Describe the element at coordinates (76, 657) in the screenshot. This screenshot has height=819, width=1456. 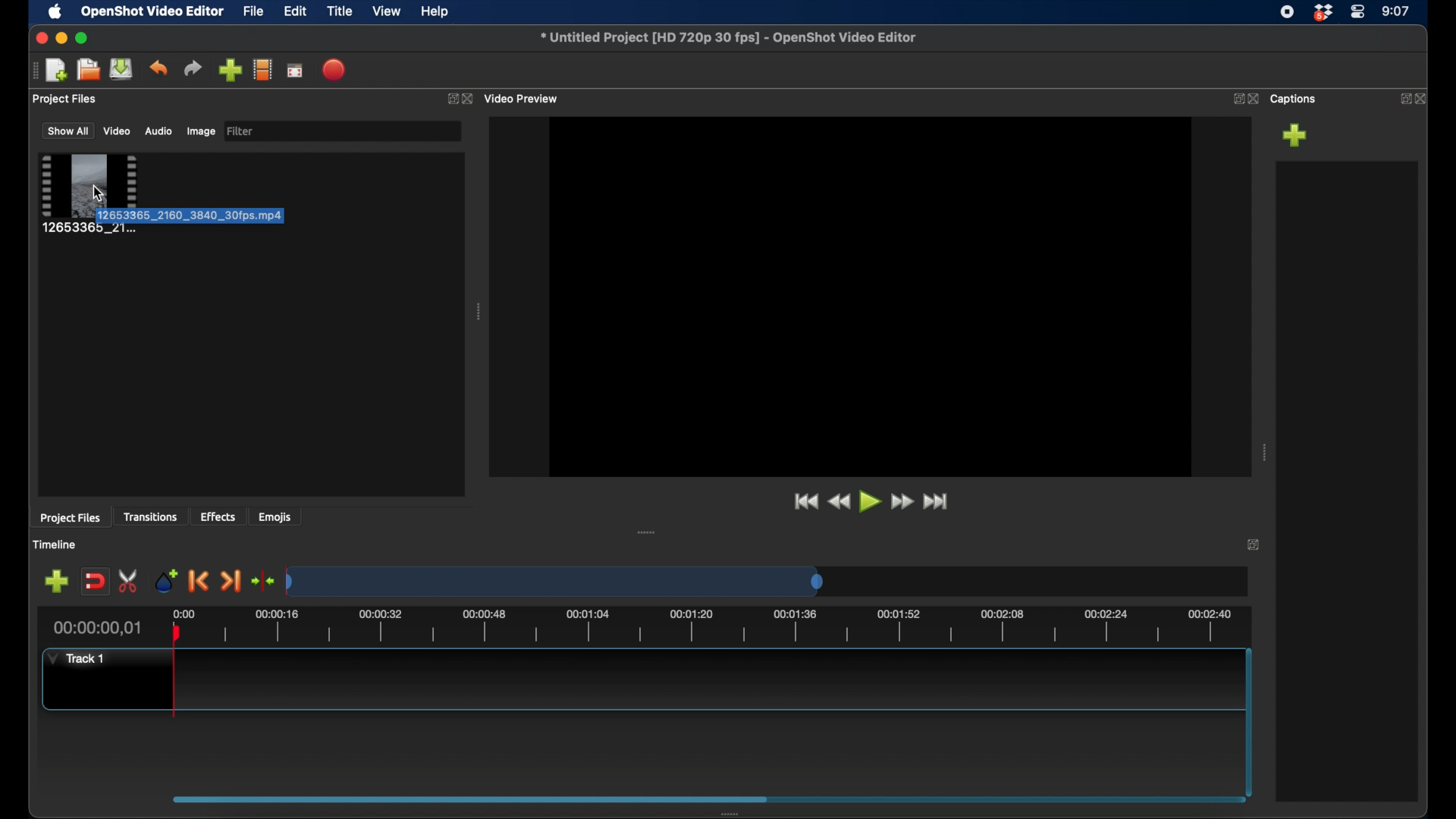
I see `track 1` at that location.